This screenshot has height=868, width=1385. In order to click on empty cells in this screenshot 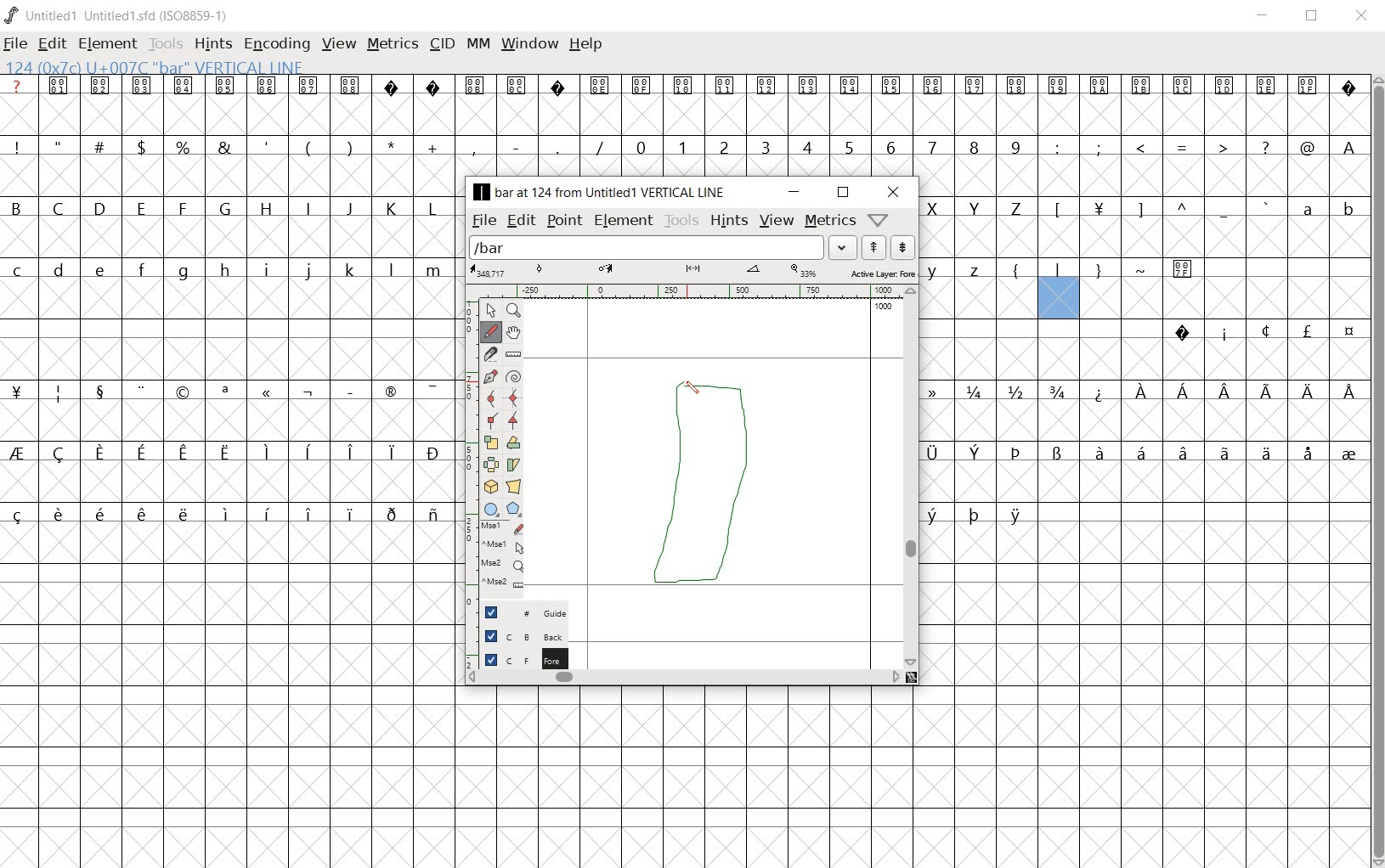, I will do `click(683, 116)`.